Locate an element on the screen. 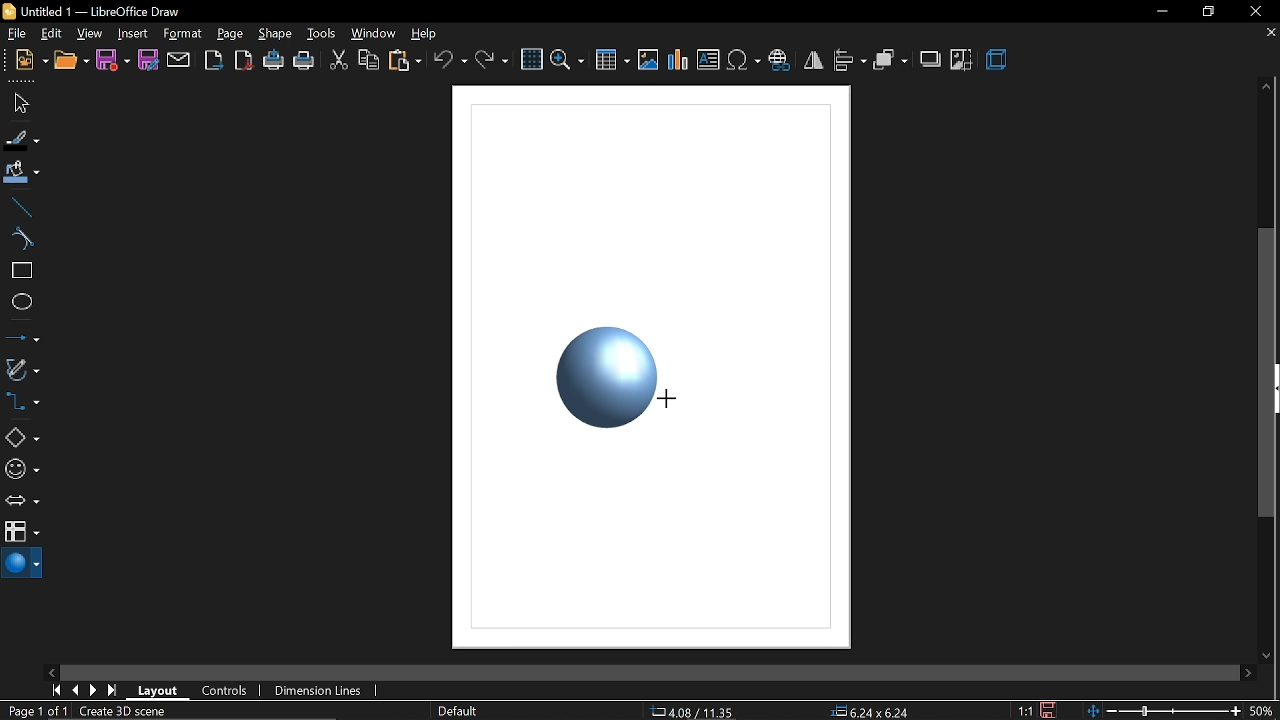 The width and height of the screenshot is (1280, 720). change zoom is located at coordinates (1164, 712).